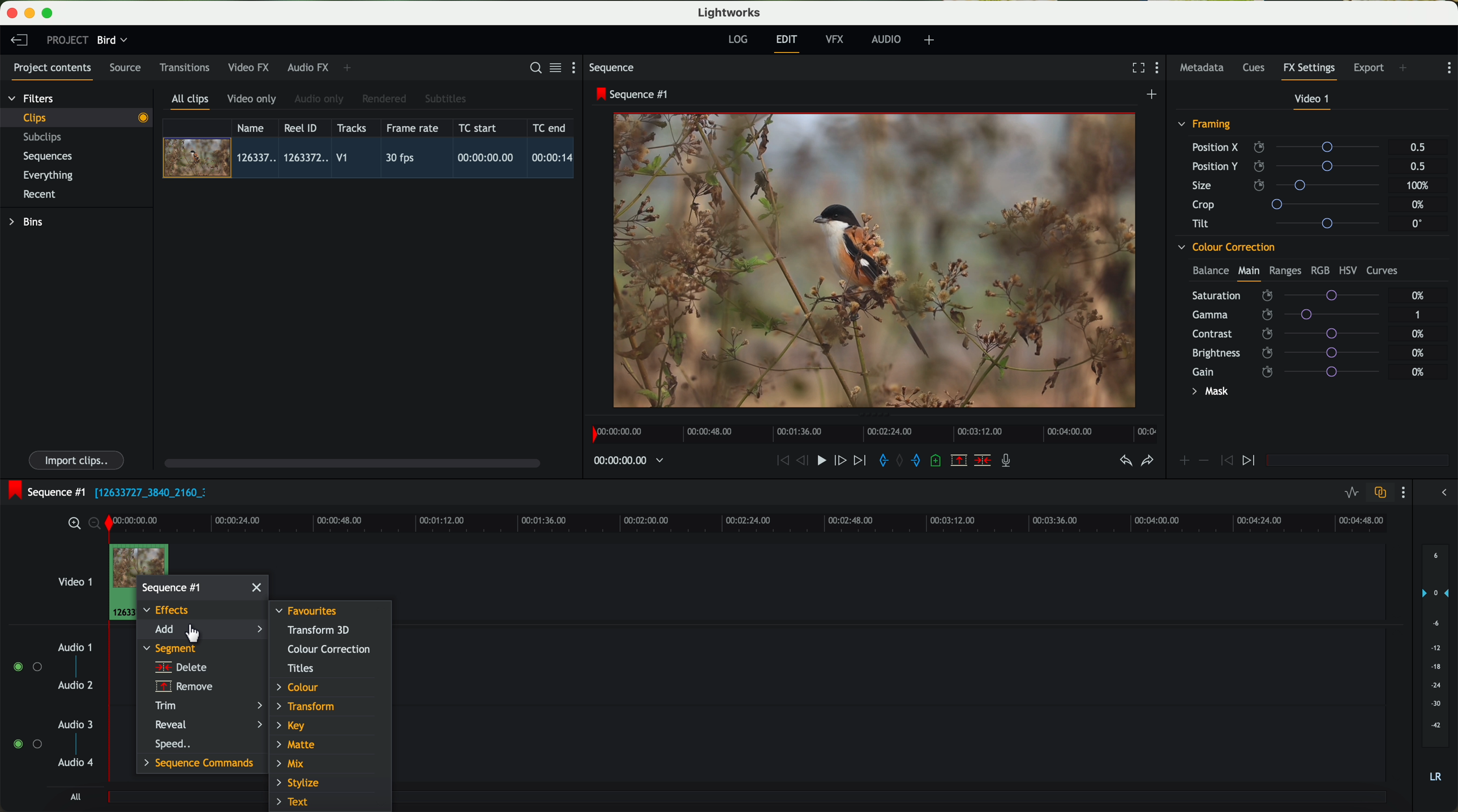 The width and height of the screenshot is (1458, 812). Describe the element at coordinates (44, 492) in the screenshot. I see `sequence #1` at that location.